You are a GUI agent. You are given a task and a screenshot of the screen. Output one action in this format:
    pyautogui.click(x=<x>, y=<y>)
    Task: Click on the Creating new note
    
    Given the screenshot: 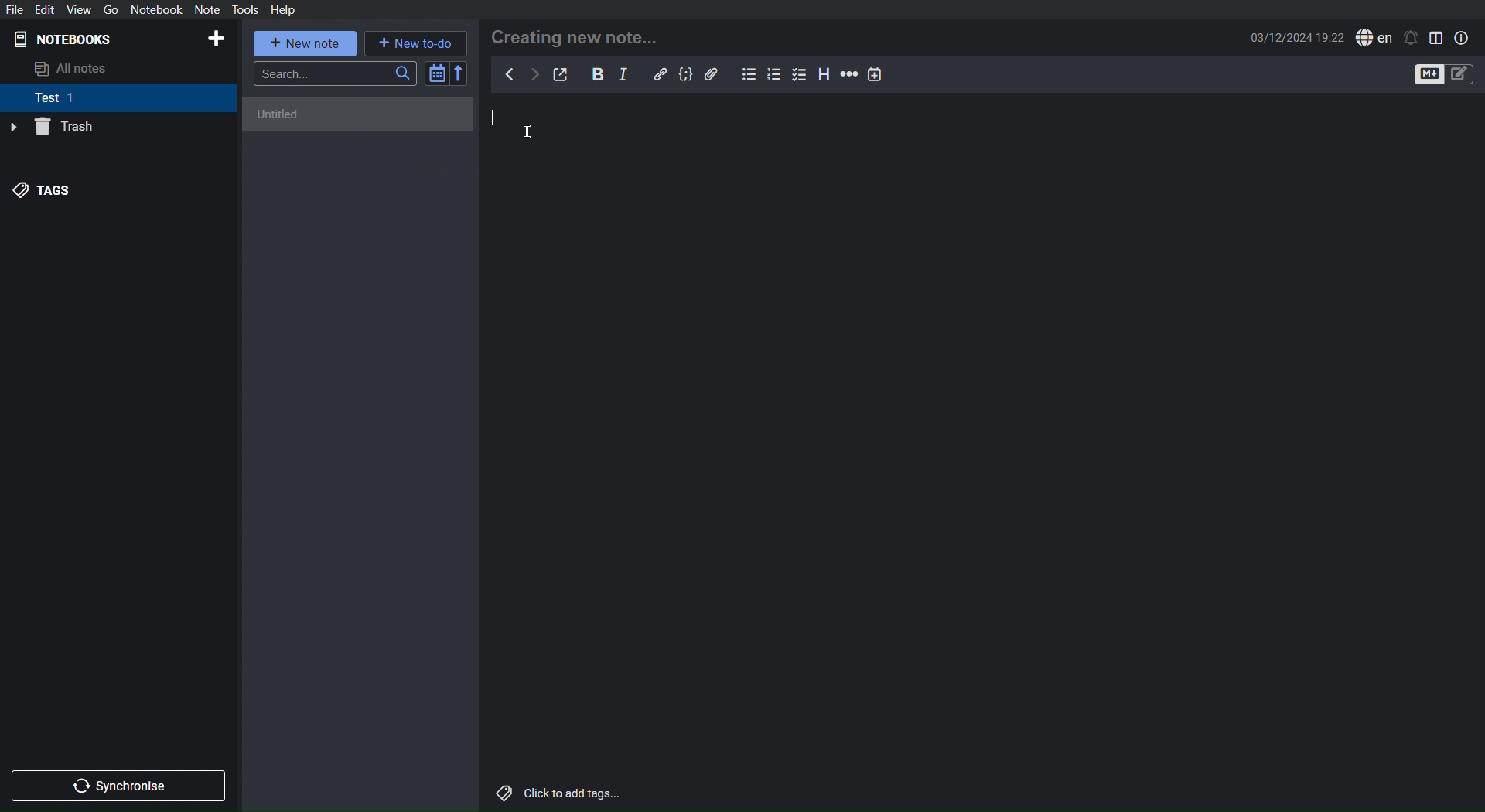 What is the action you would take?
    pyautogui.click(x=574, y=38)
    